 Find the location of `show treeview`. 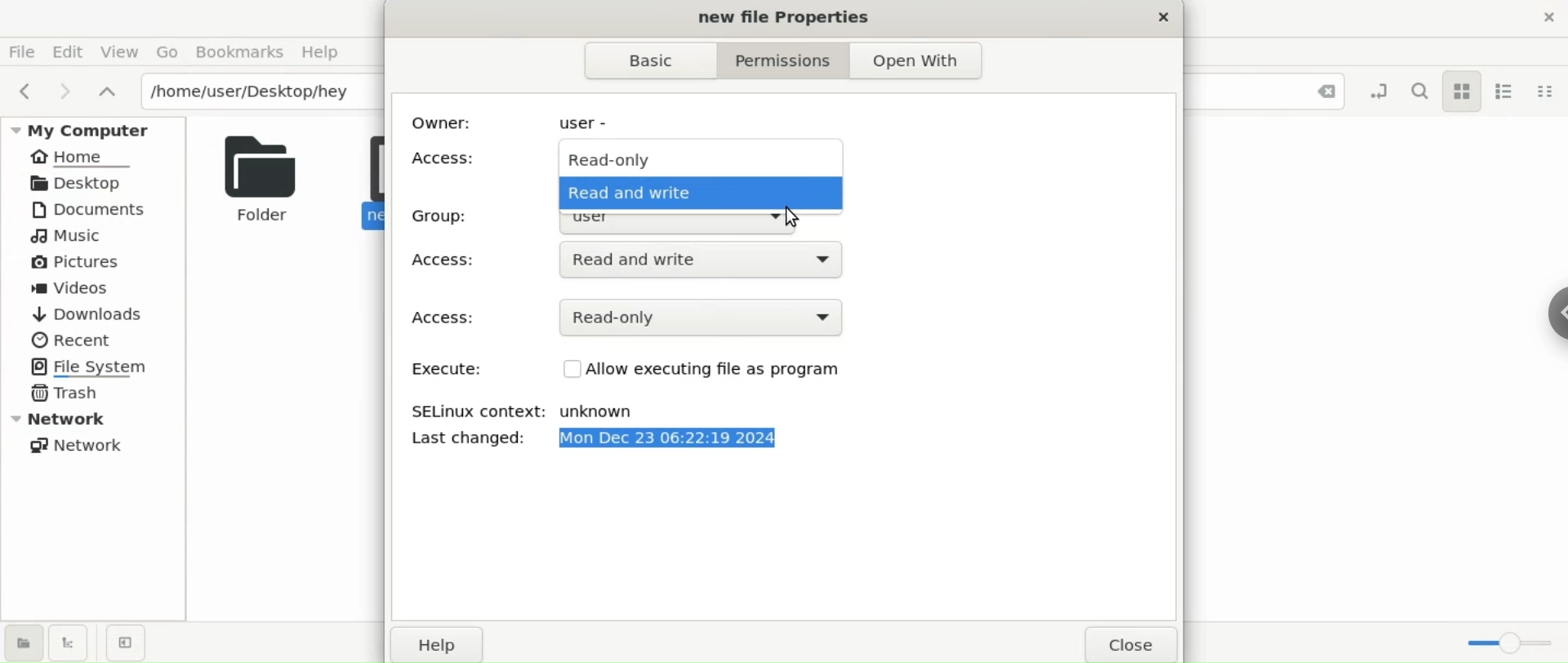

show treeview is located at coordinates (69, 642).